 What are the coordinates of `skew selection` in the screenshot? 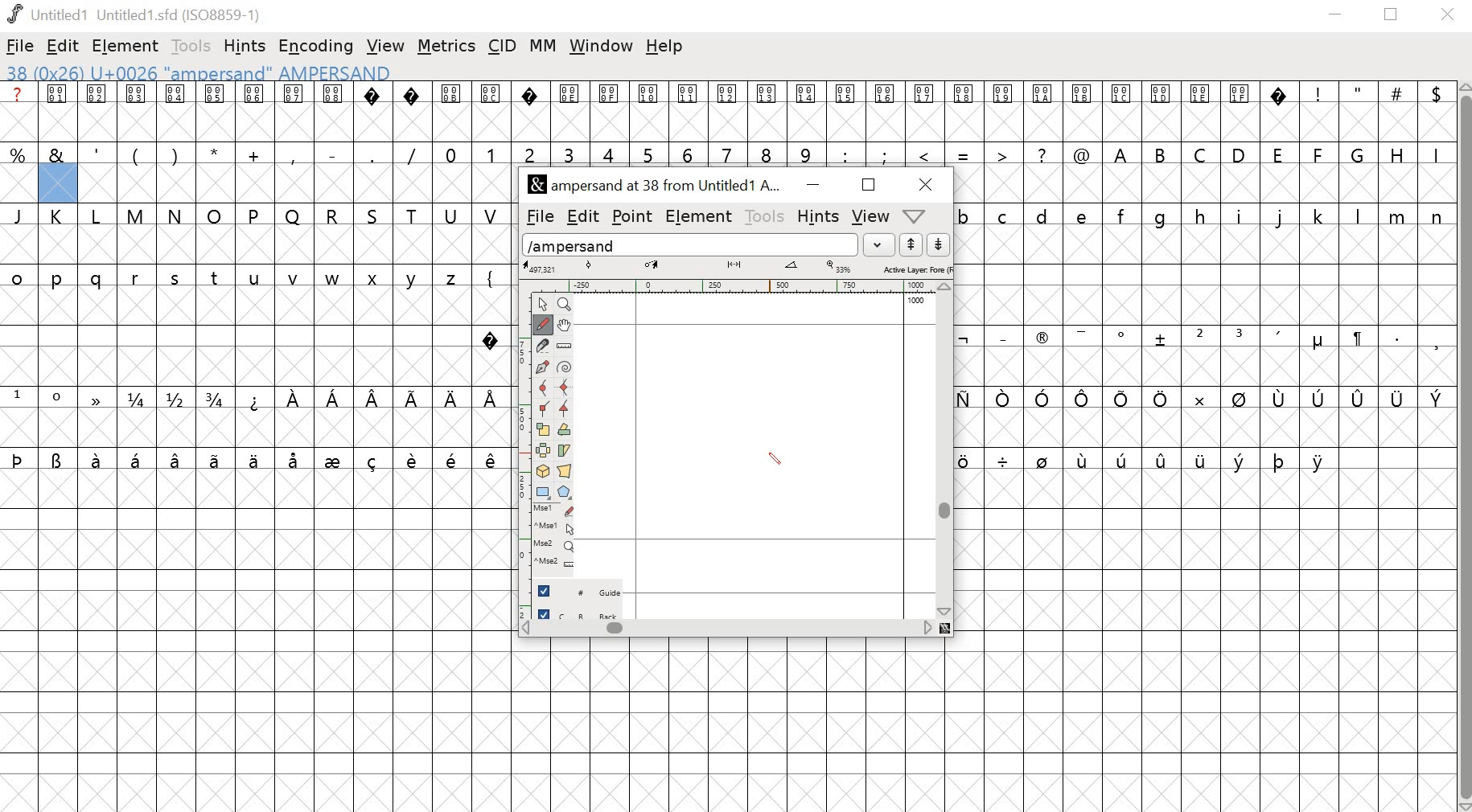 It's located at (566, 450).